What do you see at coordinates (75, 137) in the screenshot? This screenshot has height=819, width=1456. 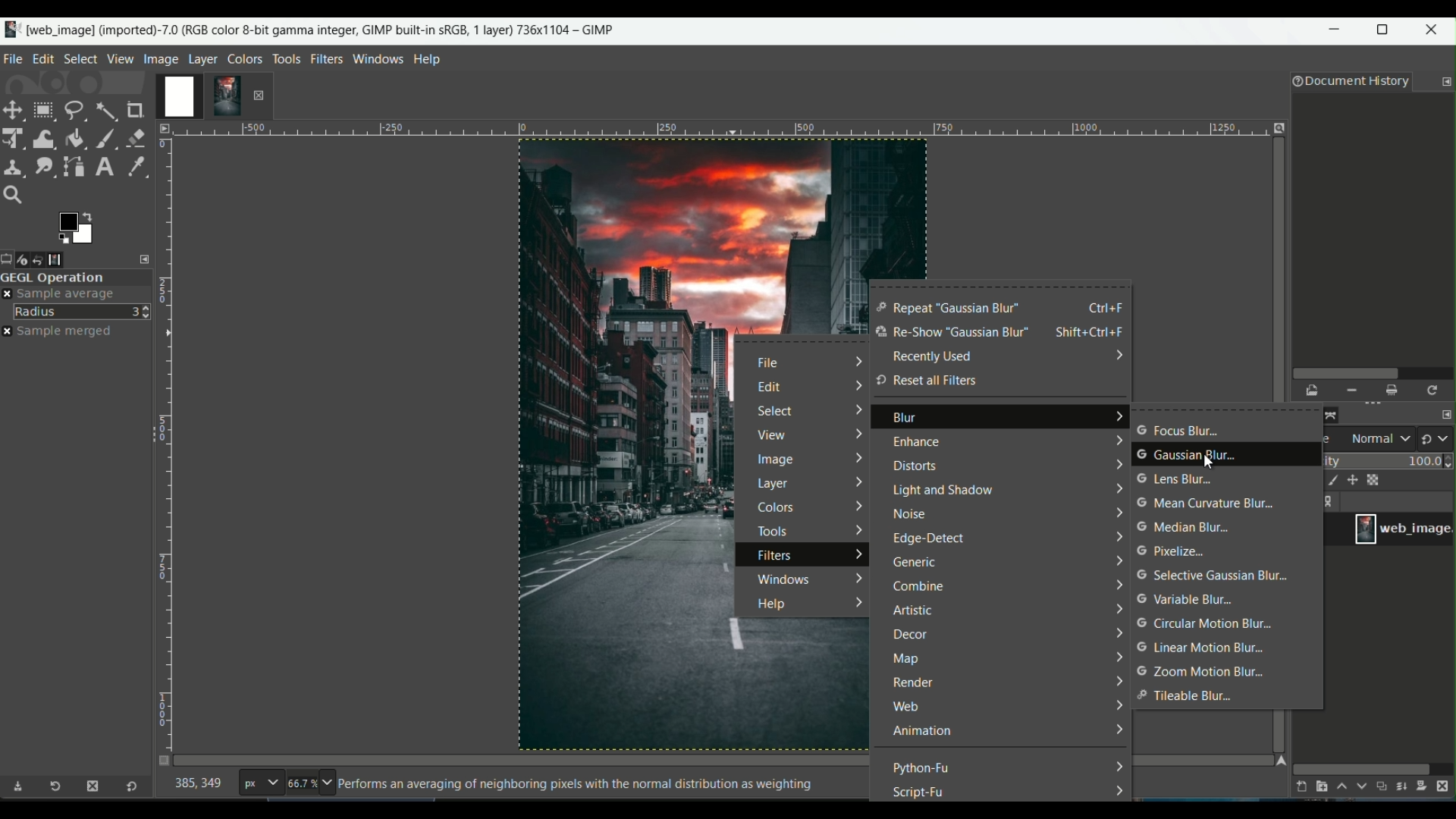 I see `bucket fill tool` at bounding box center [75, 137].